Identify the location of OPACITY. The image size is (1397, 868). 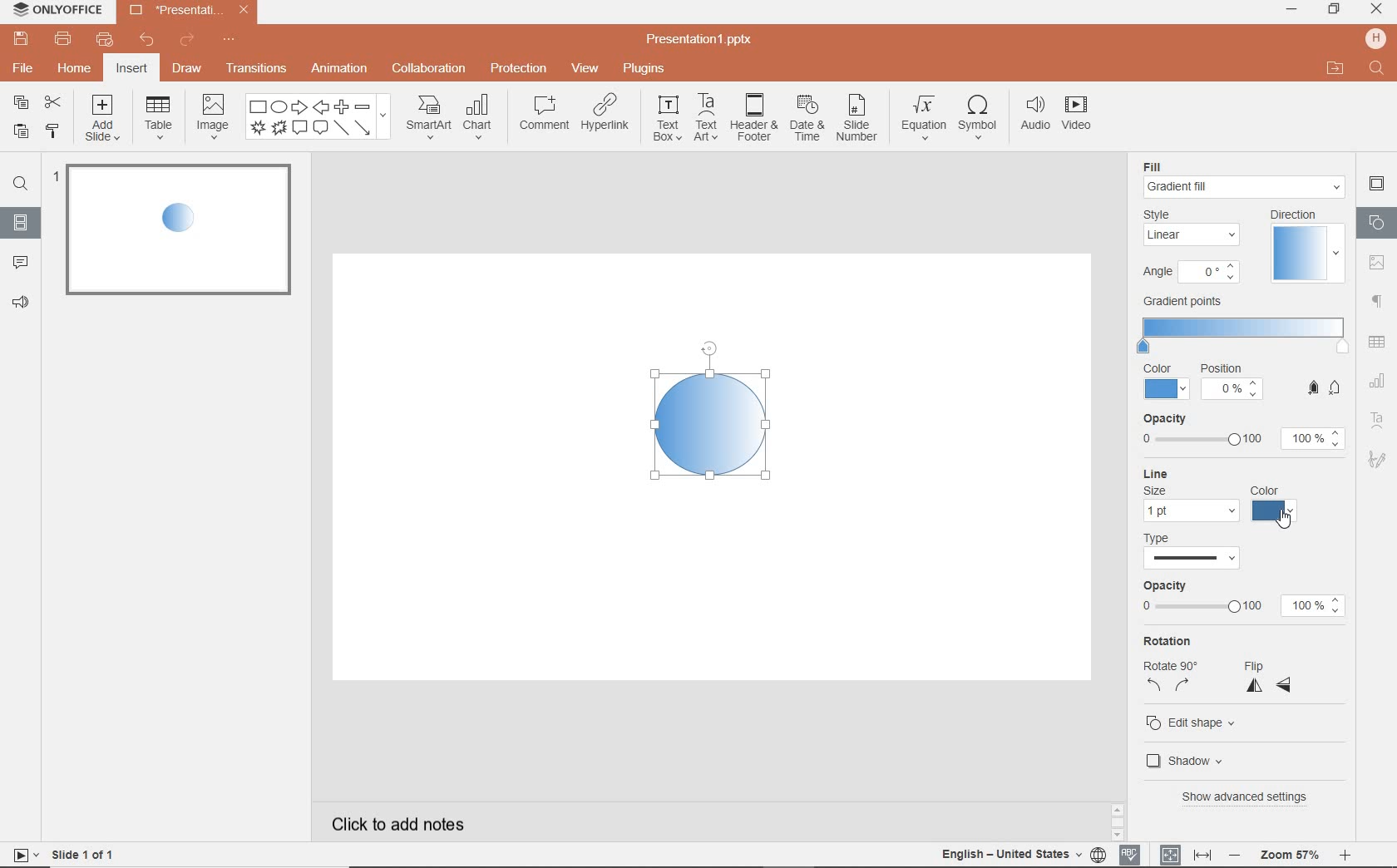
(1242, 433).